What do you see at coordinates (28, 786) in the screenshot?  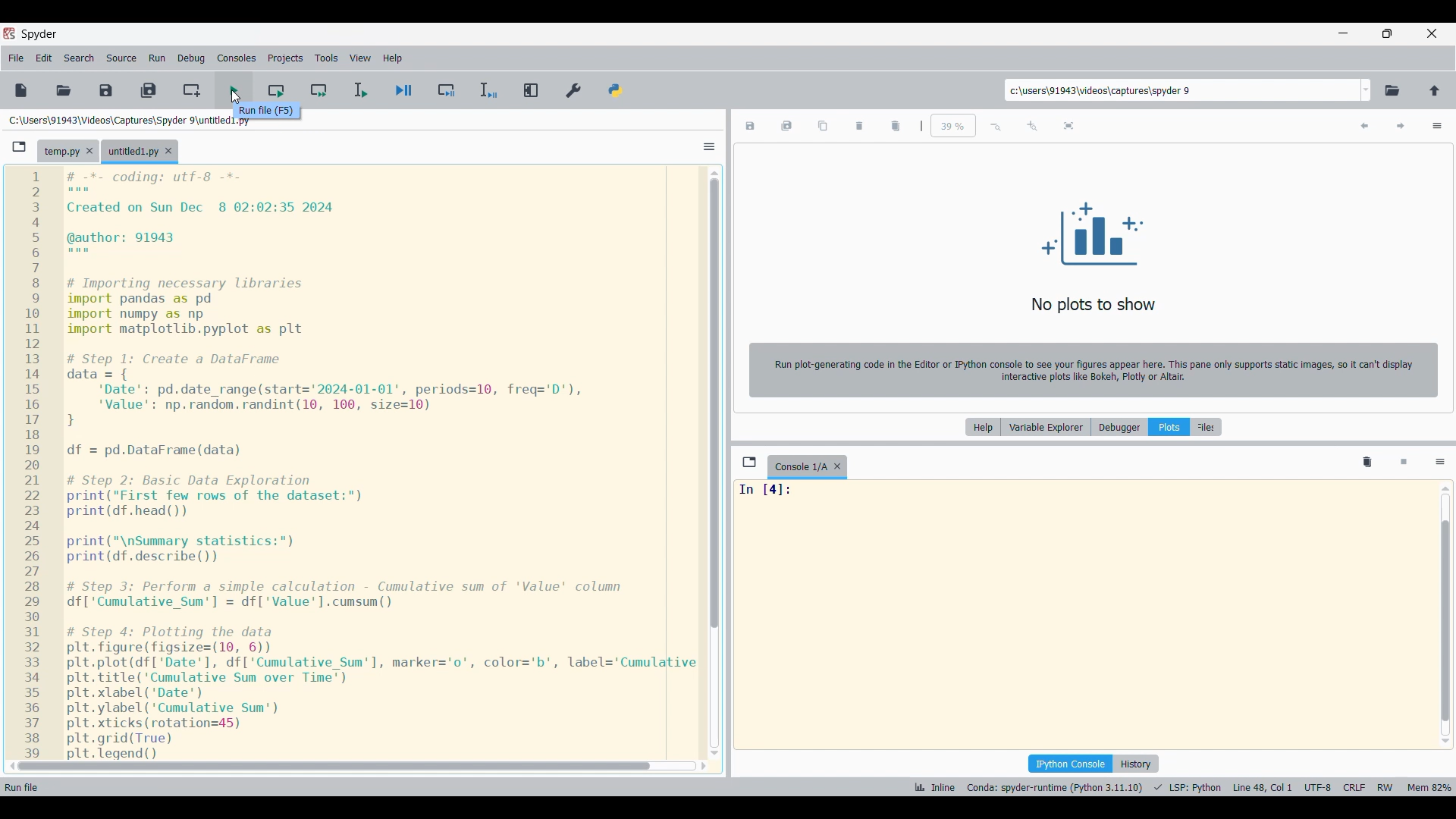 I see `Description of current selection` at bounding box center [28, 786].